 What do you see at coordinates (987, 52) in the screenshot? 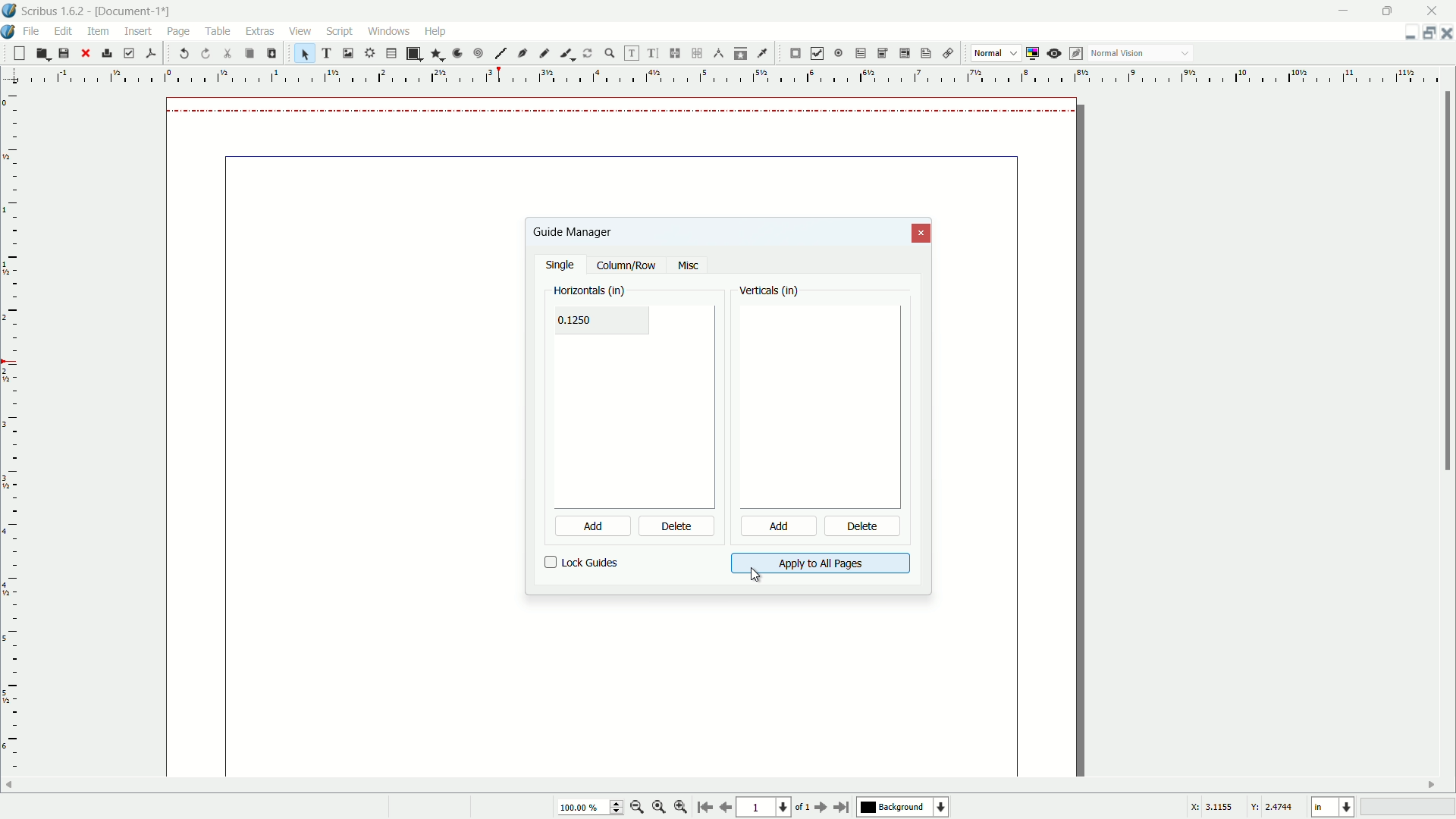
I see `normal` at bounding box center [987, 52].